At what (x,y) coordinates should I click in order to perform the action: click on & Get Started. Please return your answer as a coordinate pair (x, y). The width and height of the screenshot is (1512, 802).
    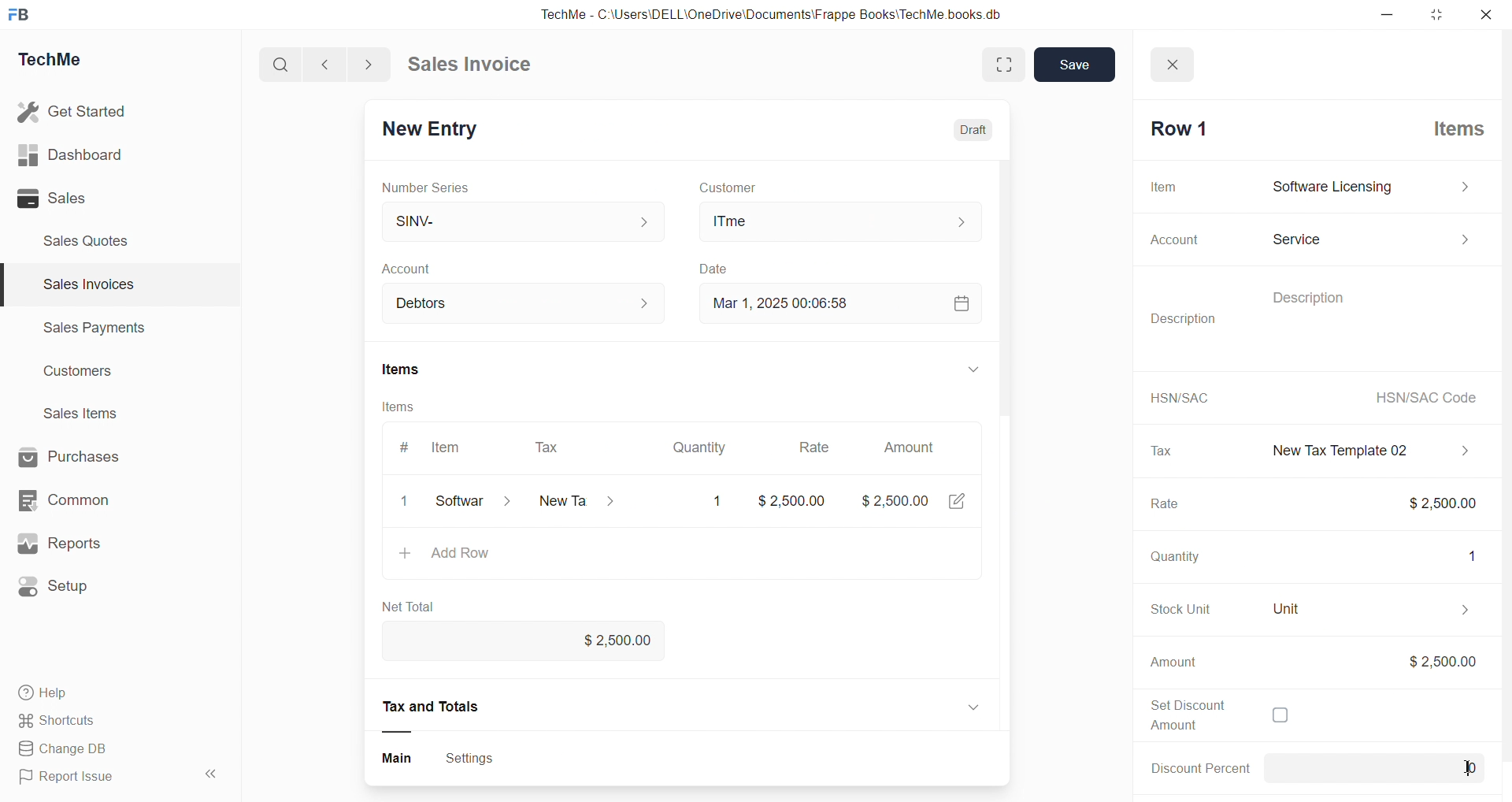
    Looking at the image, I should click on (74, 110).